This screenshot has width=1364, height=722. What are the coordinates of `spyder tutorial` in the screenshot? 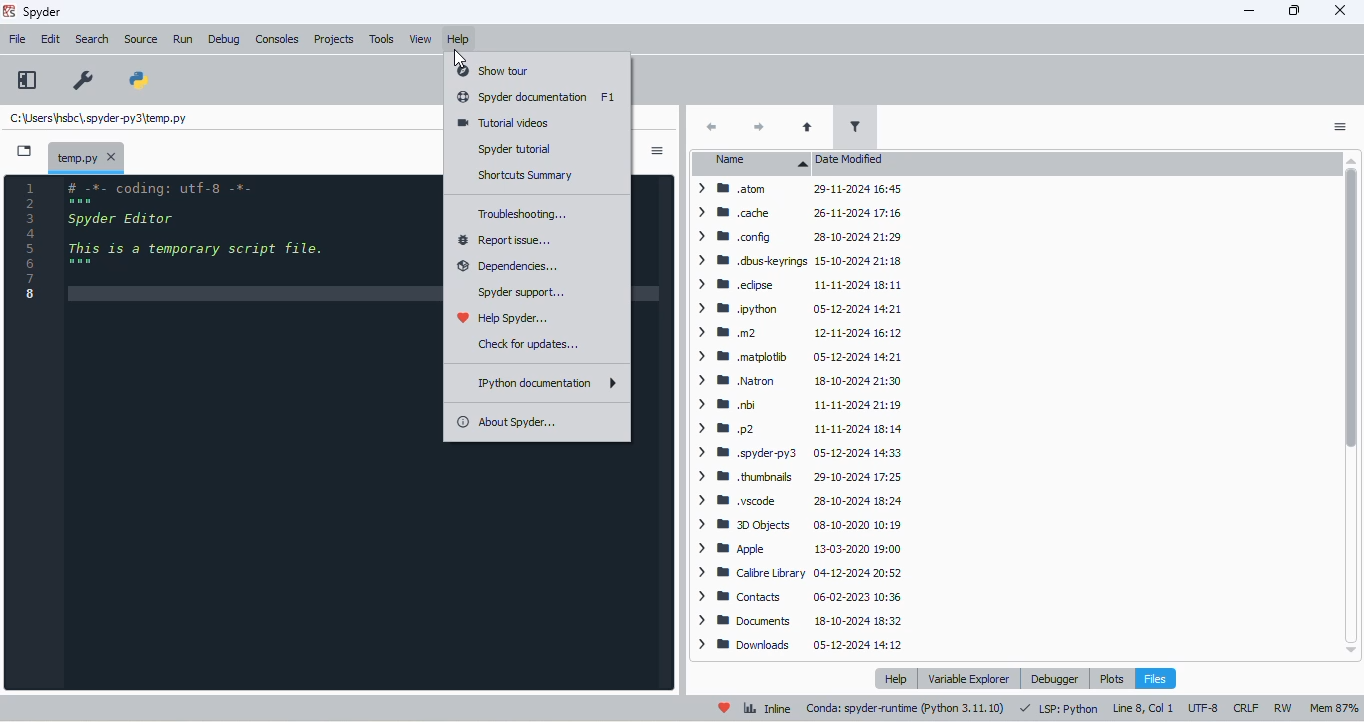 It's located at (513, 149).